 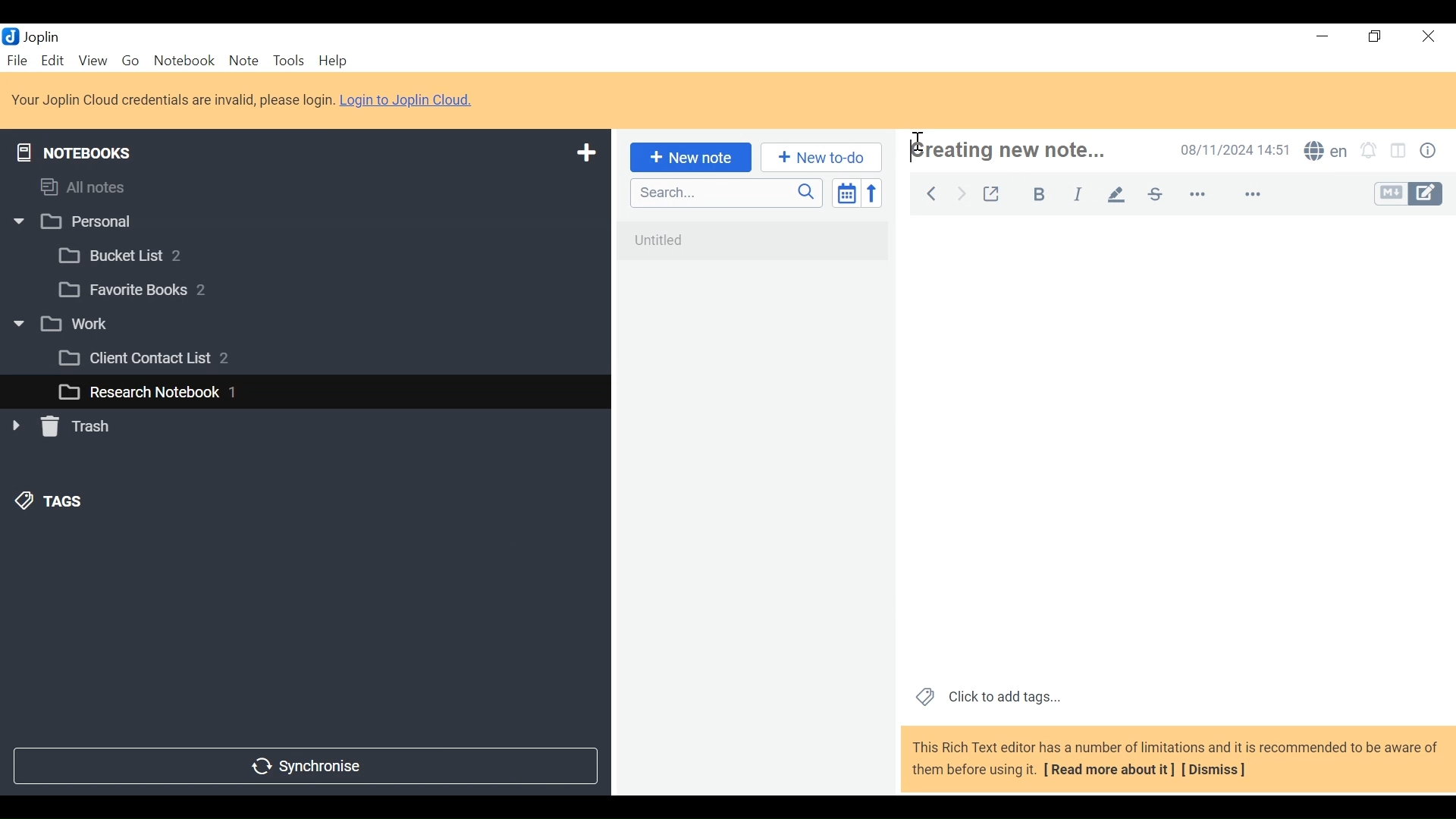 I want to click on pen, so click(x=1116, y=193).